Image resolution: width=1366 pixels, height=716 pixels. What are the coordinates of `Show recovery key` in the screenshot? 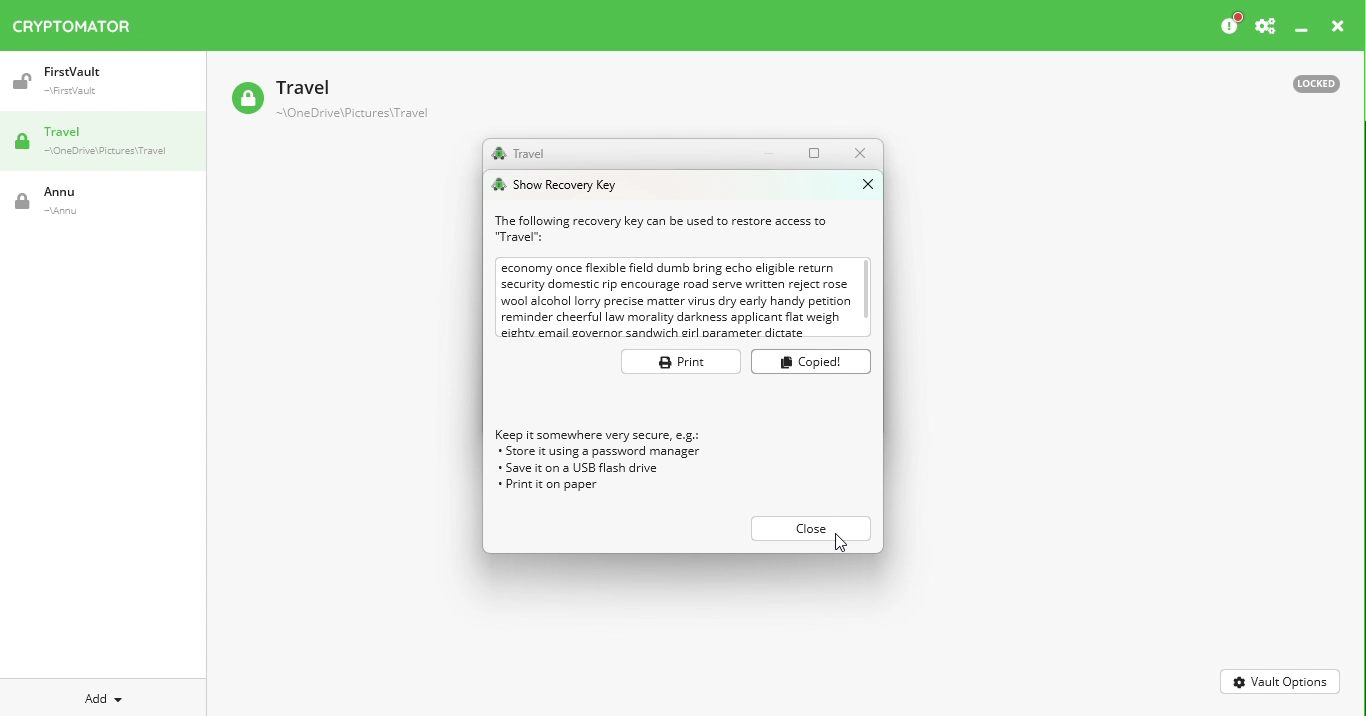 It's located at (561, 184).